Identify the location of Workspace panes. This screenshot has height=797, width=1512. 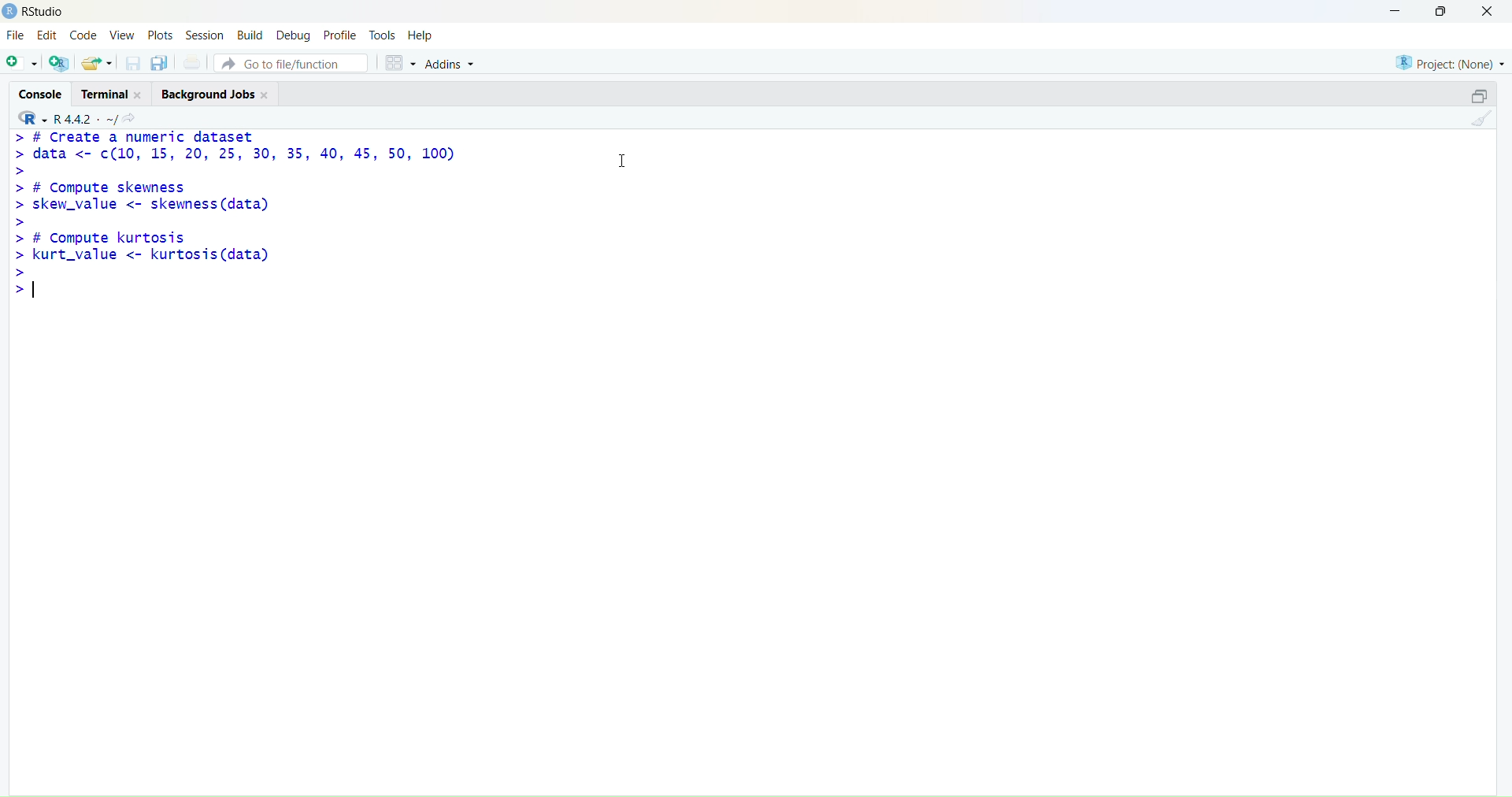
(398, 61).